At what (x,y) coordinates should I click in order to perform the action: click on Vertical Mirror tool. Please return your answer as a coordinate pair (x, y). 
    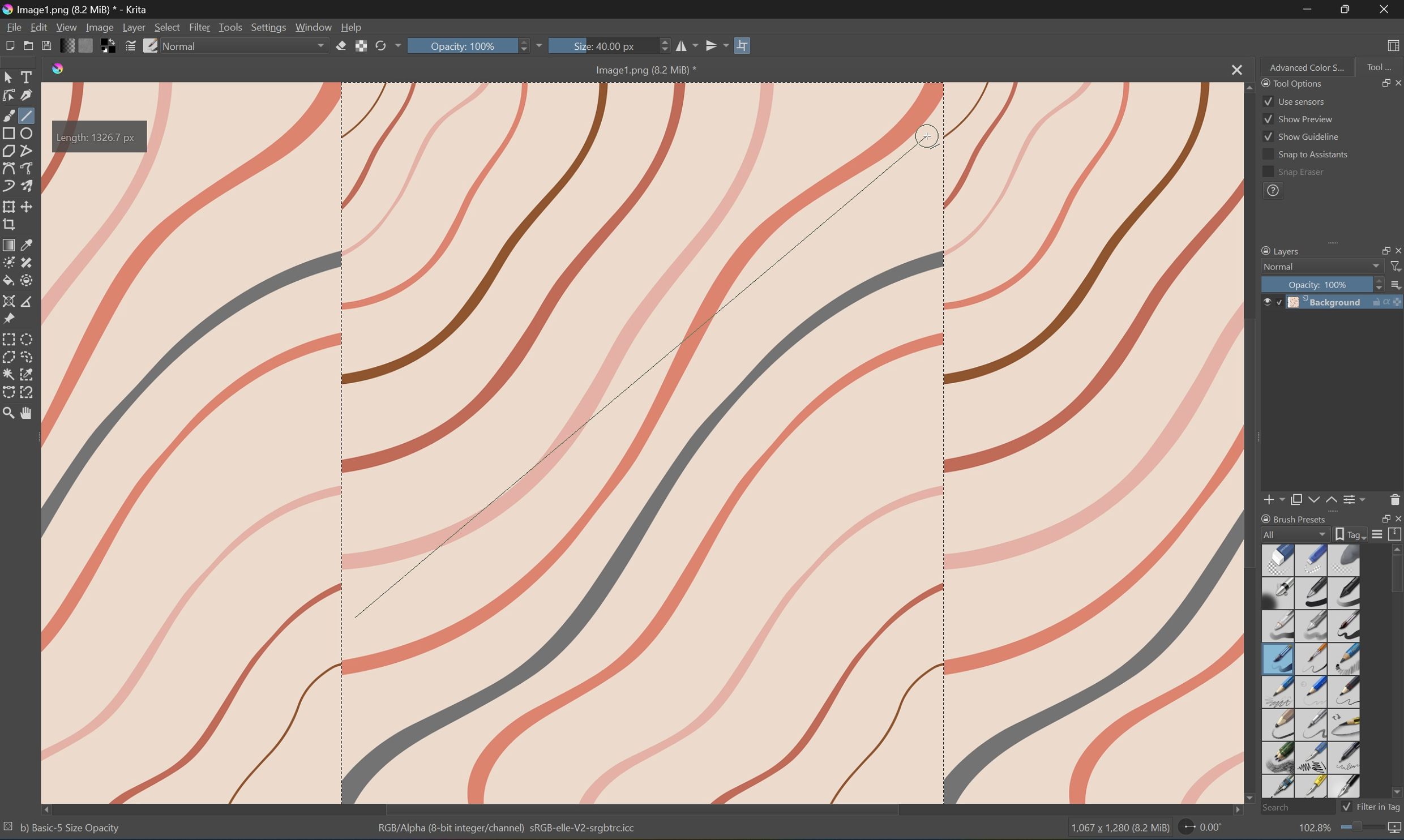
    Looking at the image, I should click on (716, 44).